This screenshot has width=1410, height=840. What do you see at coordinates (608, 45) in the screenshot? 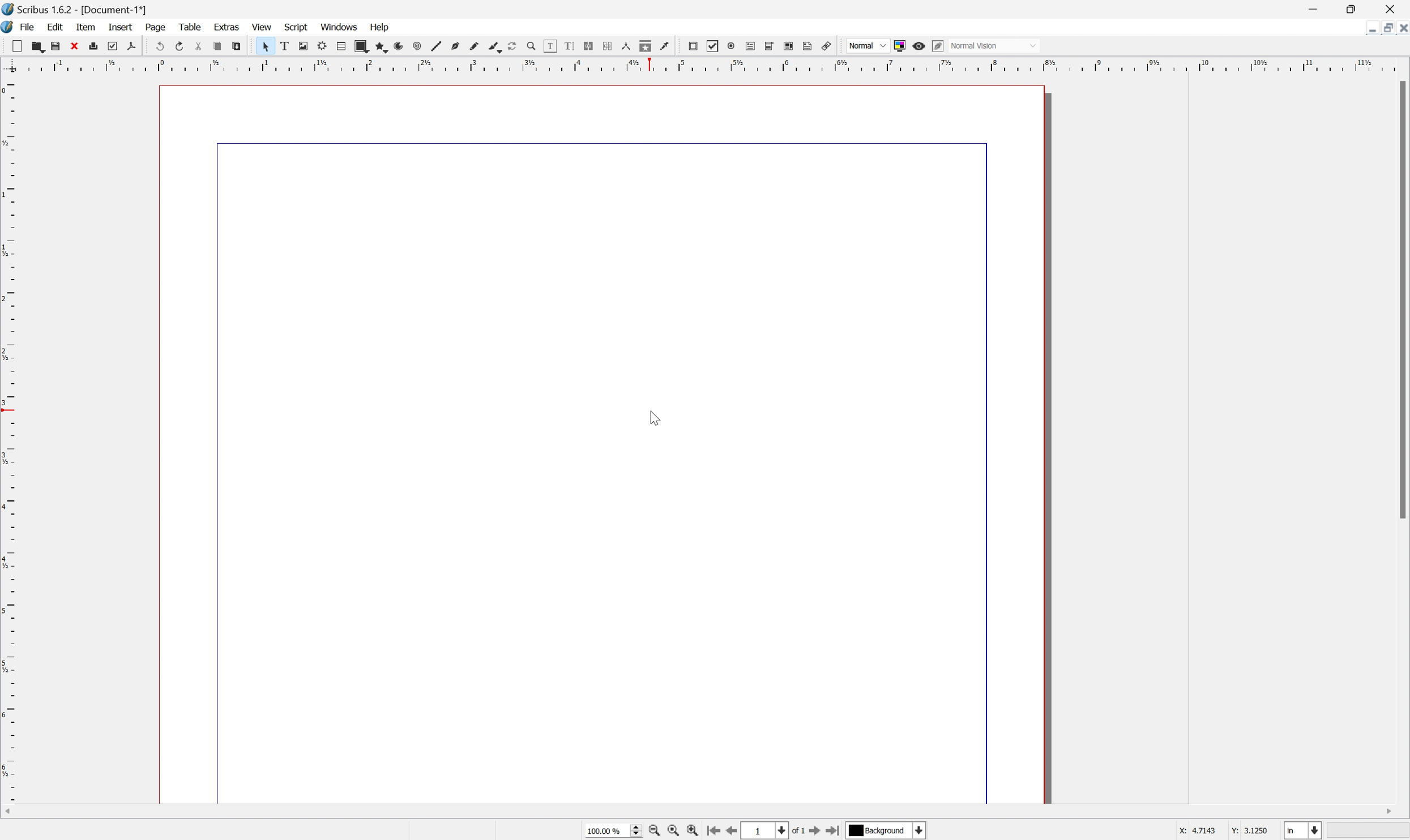
I see `Unlink text frames` at bounding box center [608, 45].